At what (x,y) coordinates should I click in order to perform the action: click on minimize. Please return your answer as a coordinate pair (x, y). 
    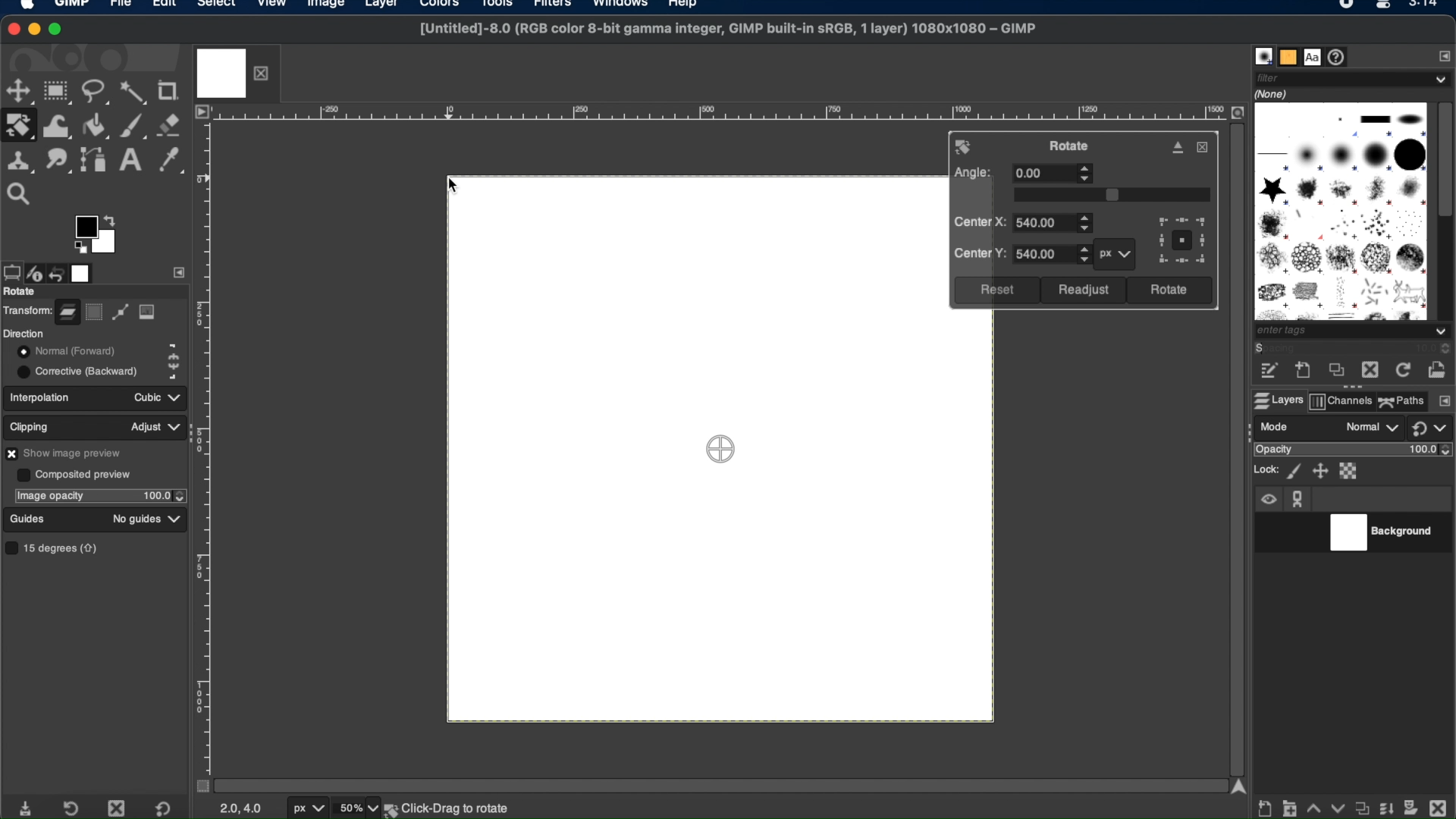
    Looking at the image, I should click on (36, 30).